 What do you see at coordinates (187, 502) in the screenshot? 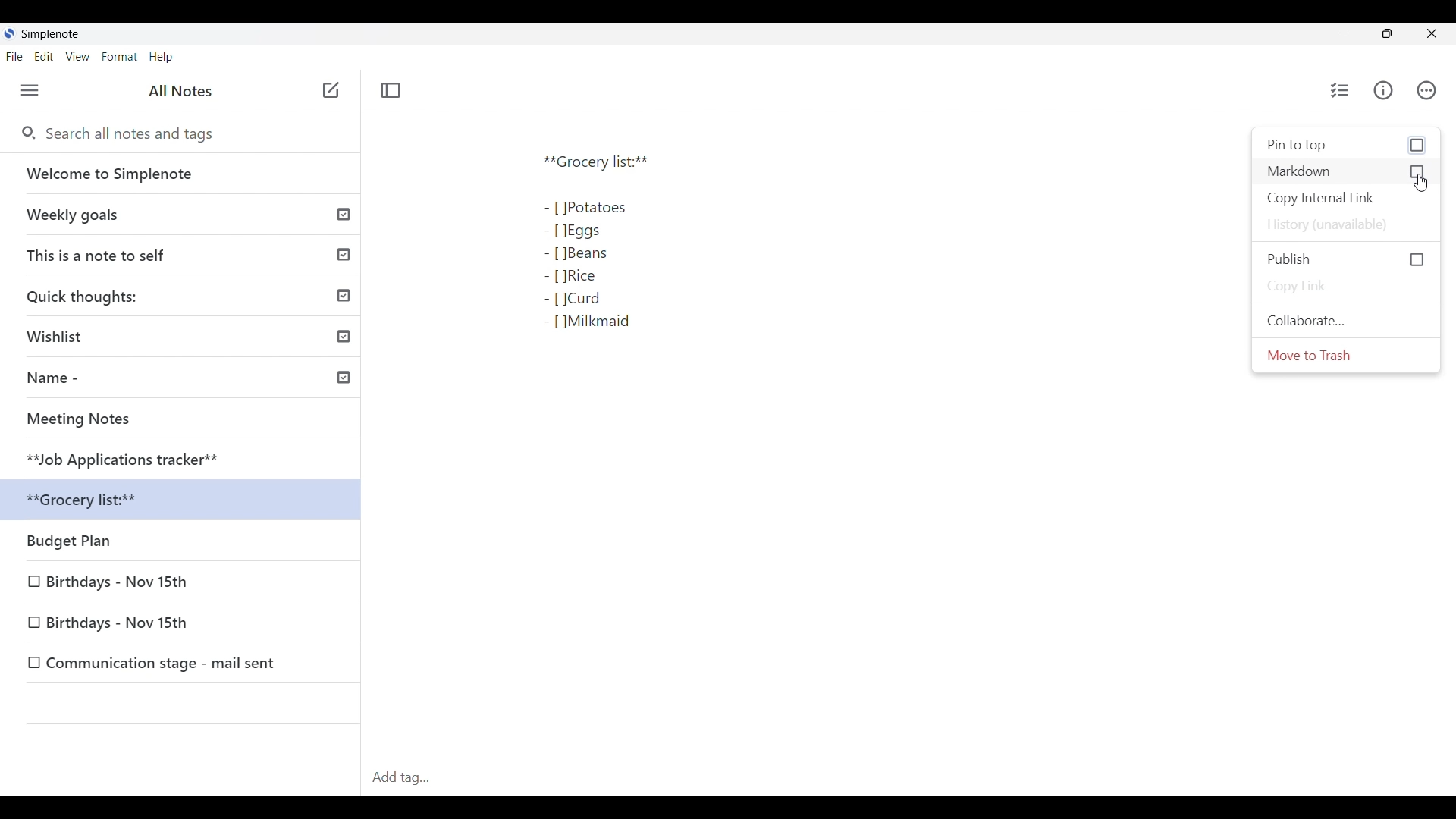
I see `**Grocery list:**` at bounding box center [187, 502].